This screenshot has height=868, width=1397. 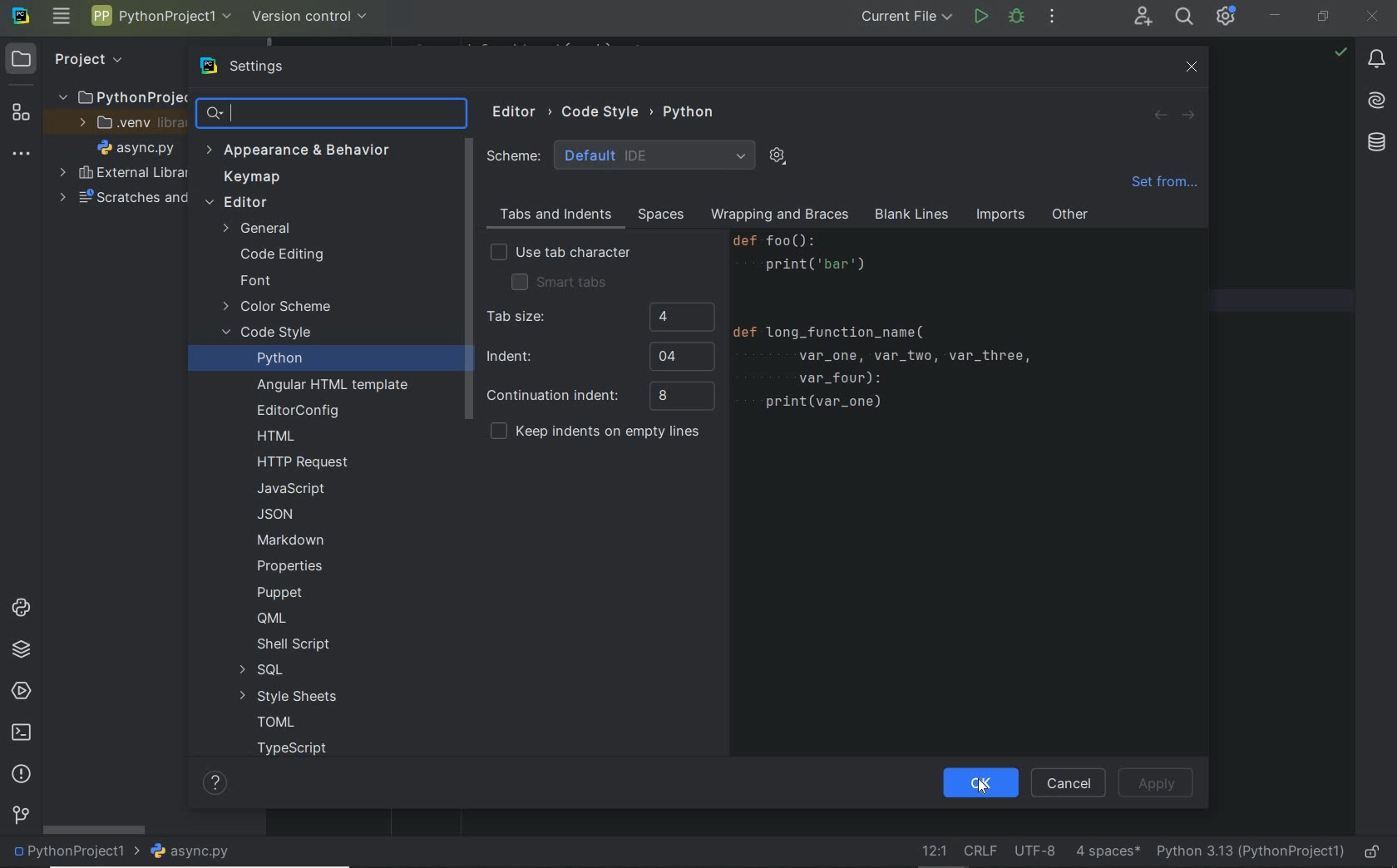 I want to click on debug, so click(x=1017, y=17).